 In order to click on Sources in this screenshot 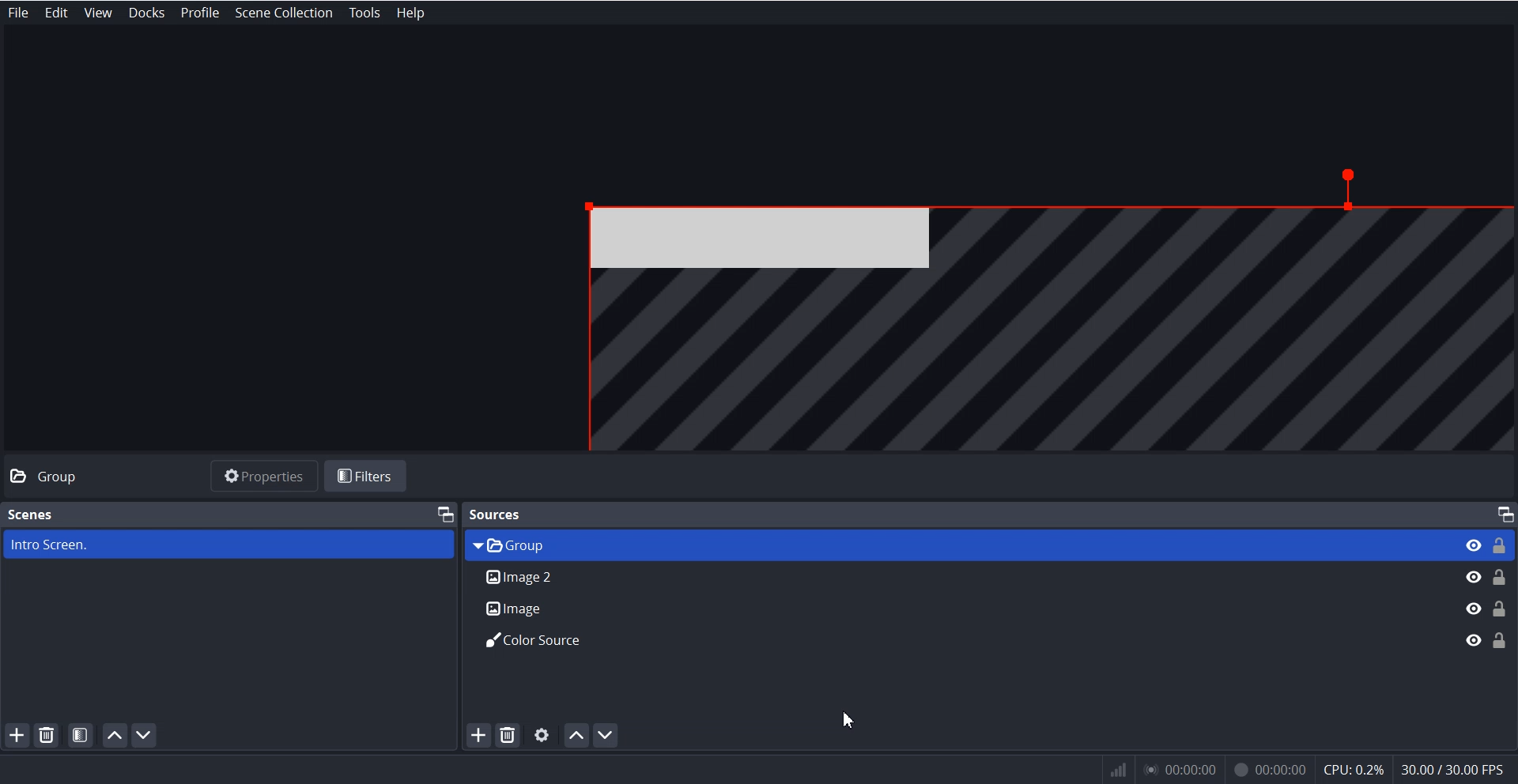, I will do `click(498, 513)`.